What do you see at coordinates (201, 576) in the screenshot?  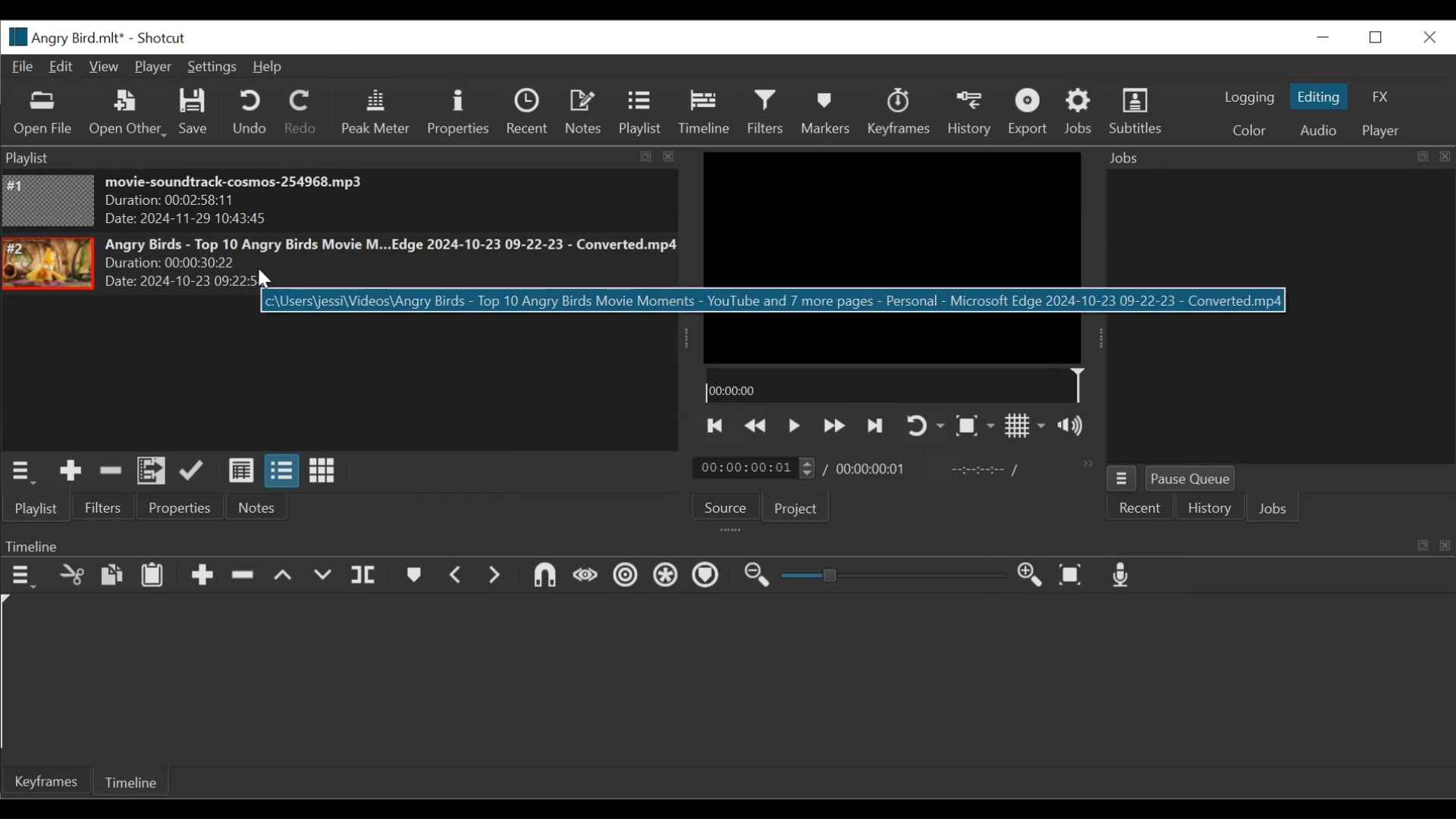 I see `Append` at bounding box center [201, 576].